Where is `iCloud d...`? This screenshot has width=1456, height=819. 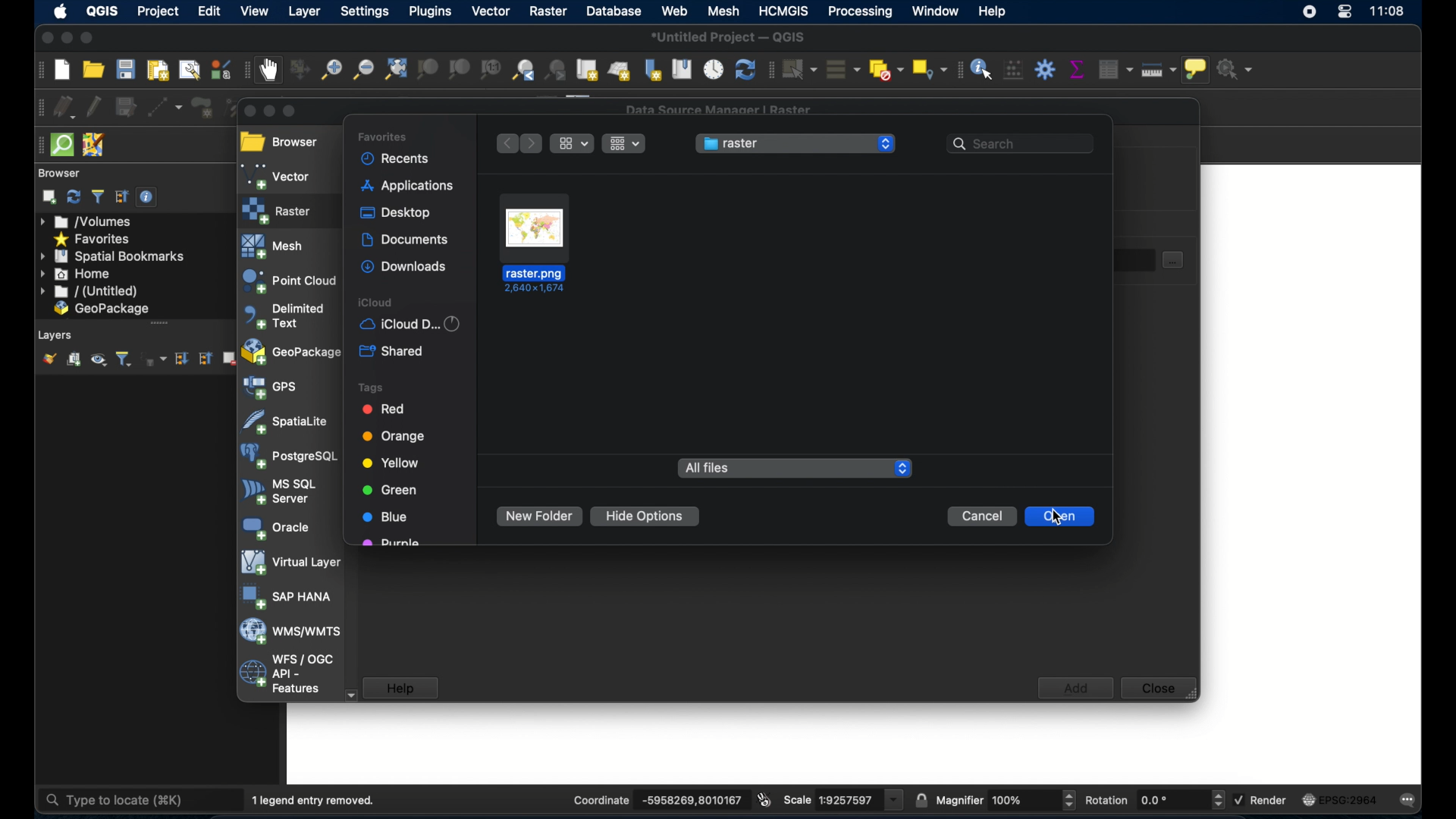 iCloud d... is located at coordinates (411, 322).